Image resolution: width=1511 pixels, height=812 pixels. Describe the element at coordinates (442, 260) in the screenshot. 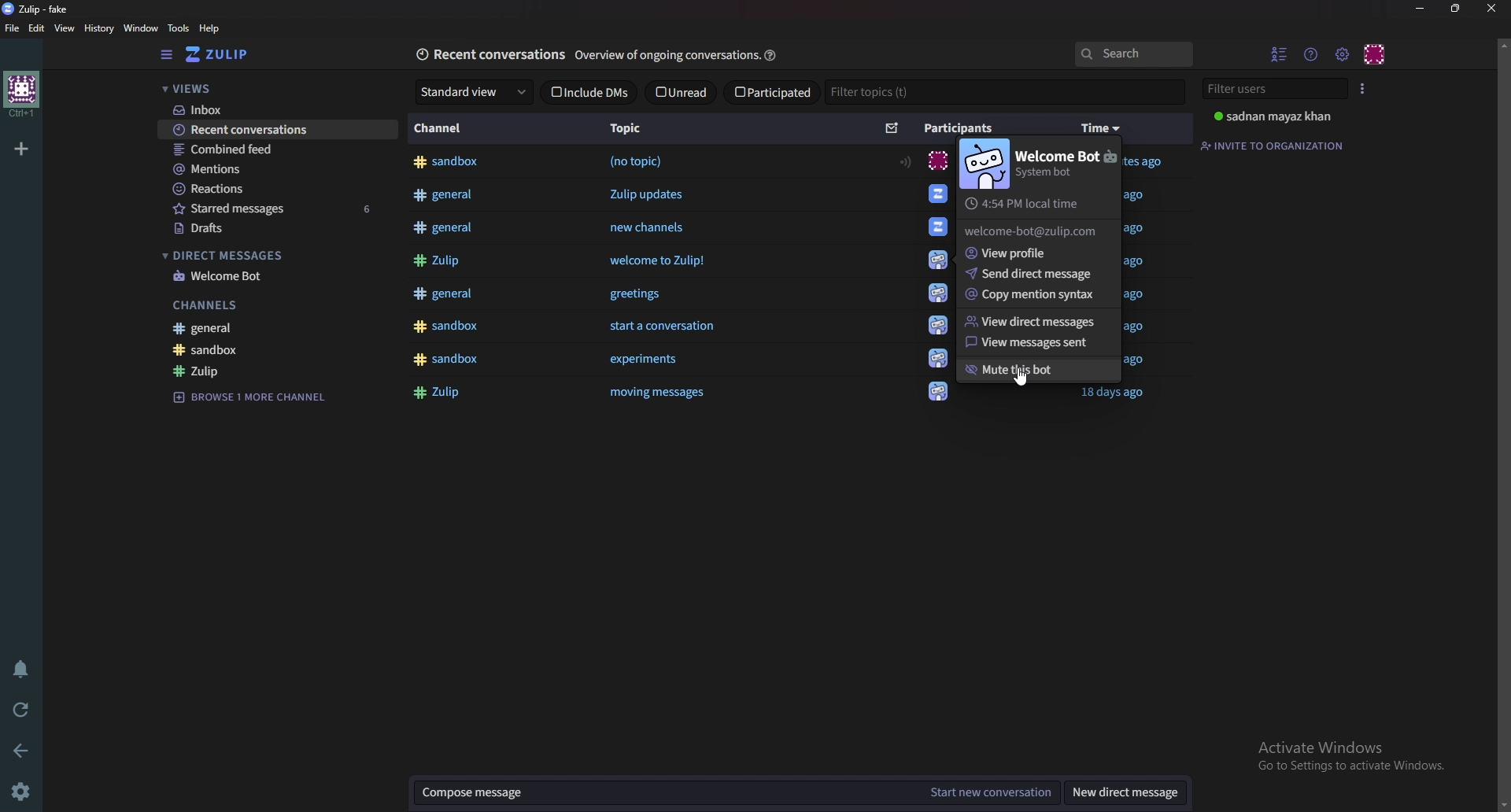

I see `# Zulip` at that location.